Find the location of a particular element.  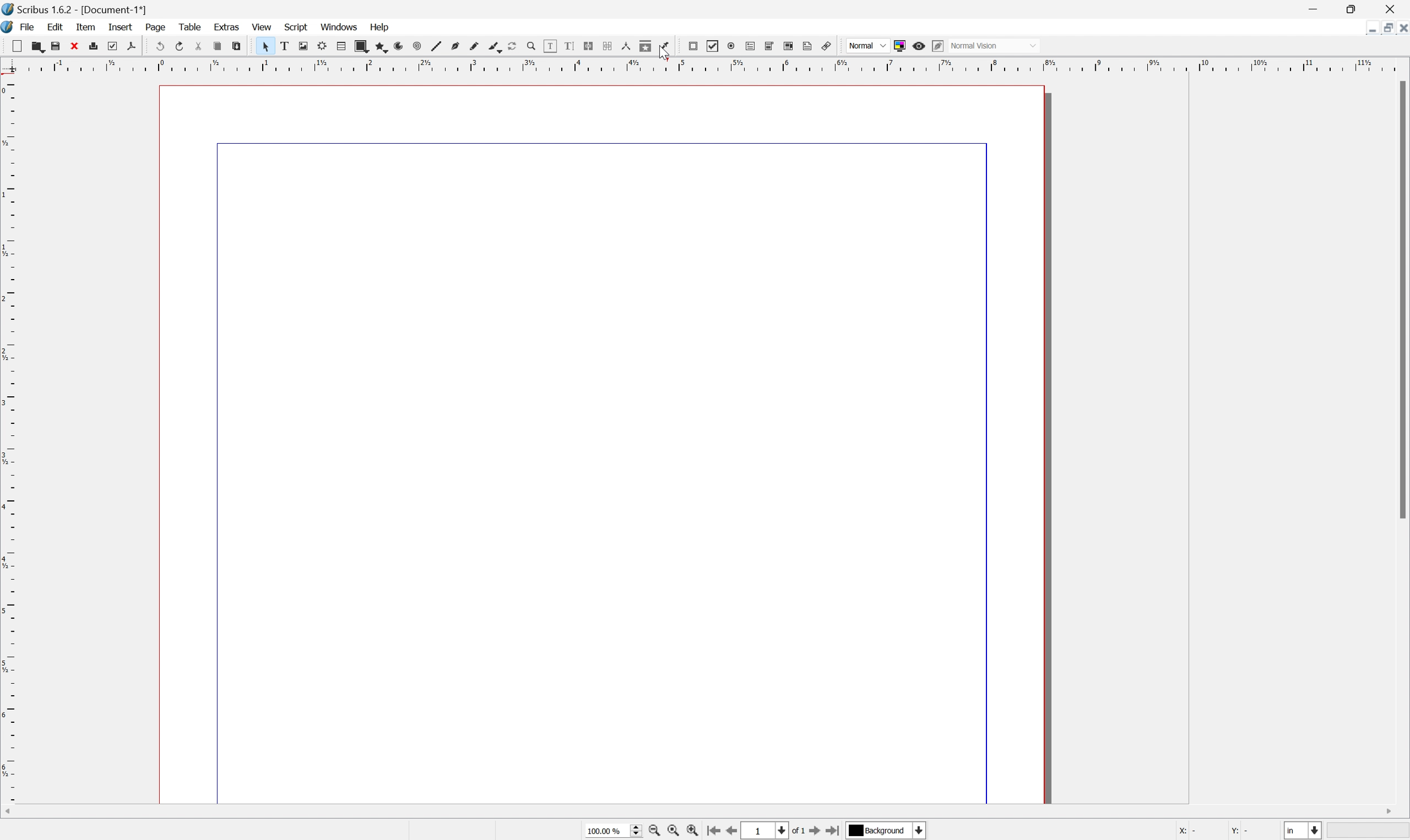

copy is located at coordinates (36, 44).